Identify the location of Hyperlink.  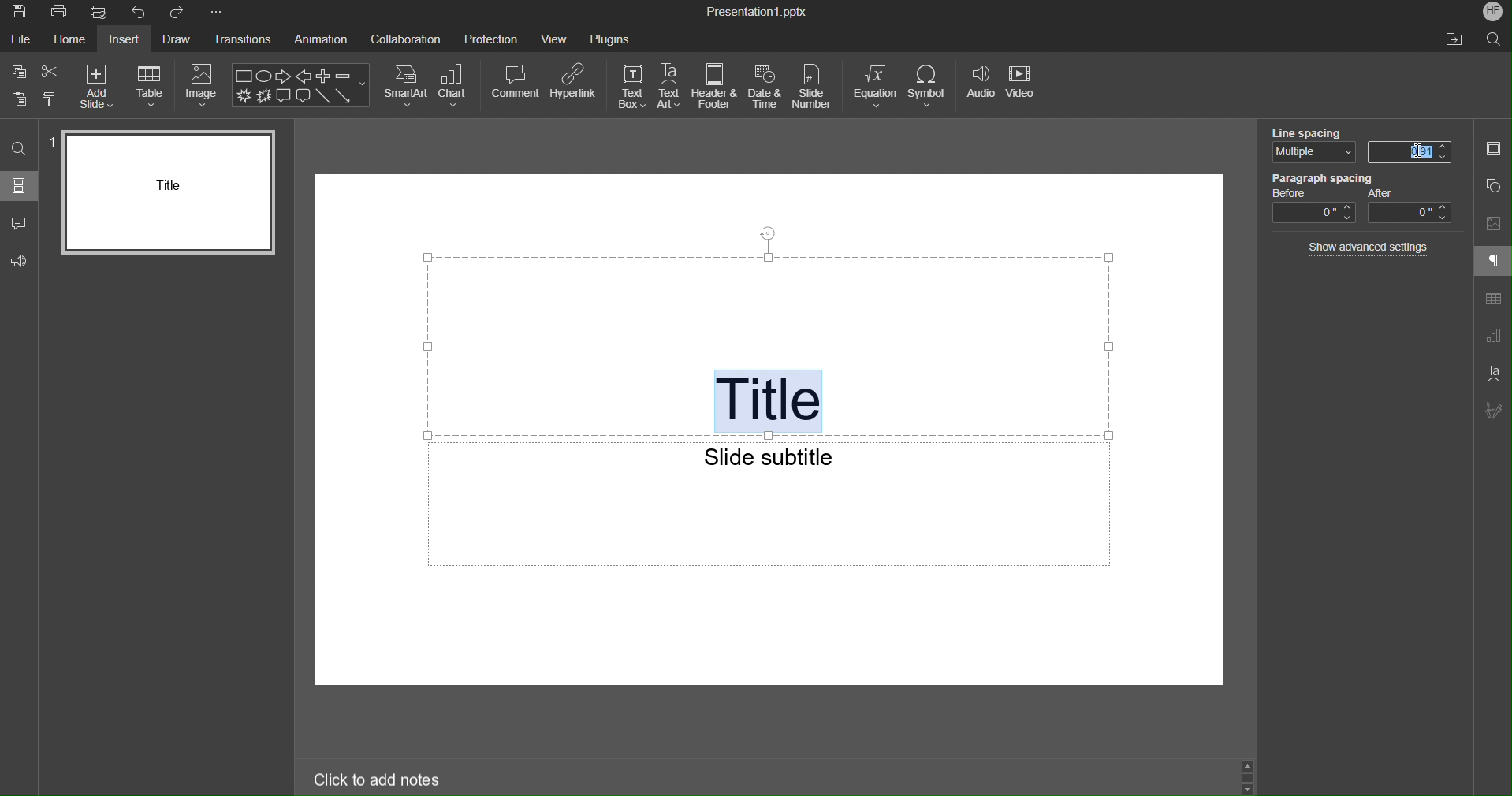
(575, 84).